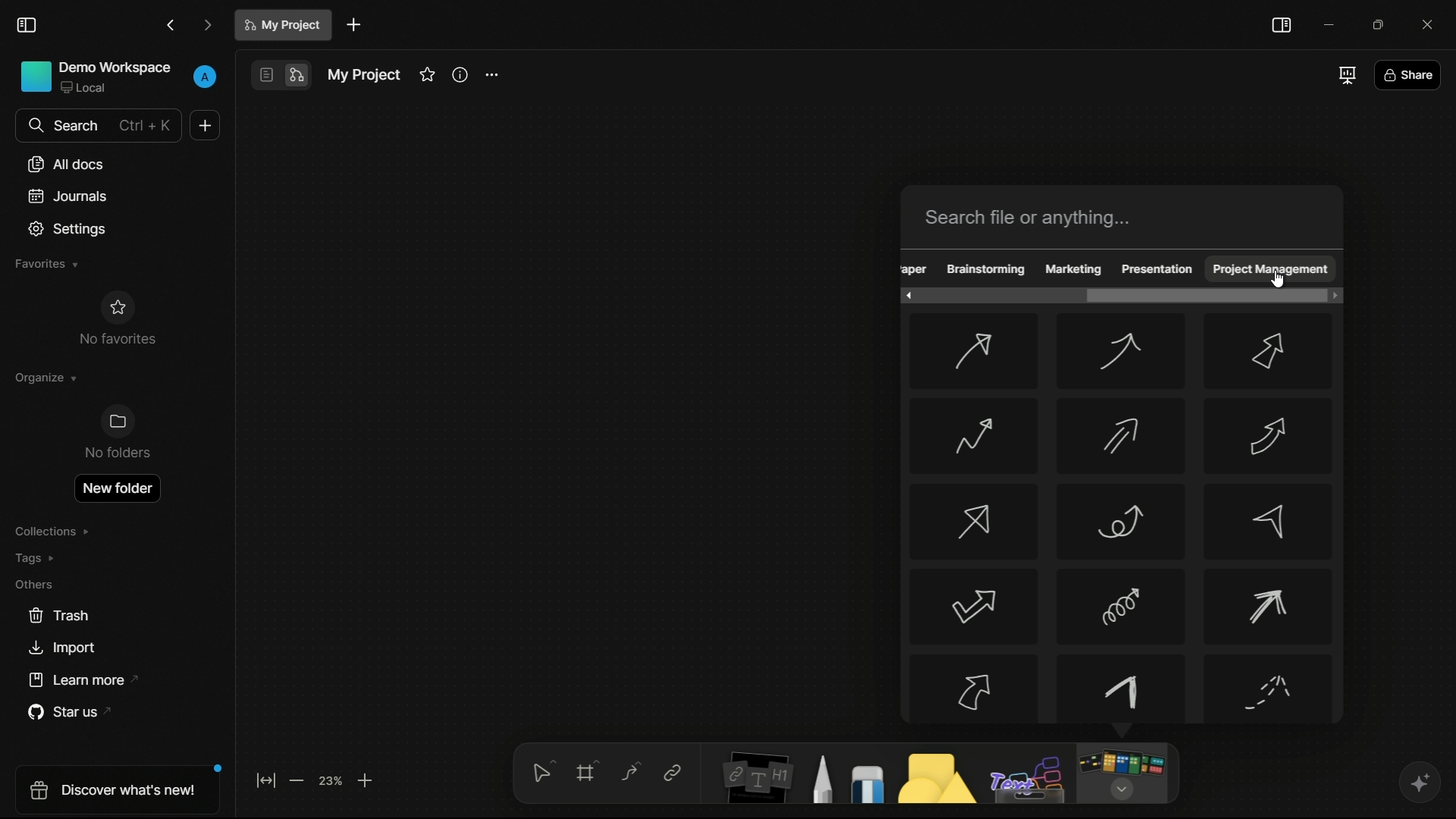 The image size is (1456, 819). What do you see at coordinates (1331, 24) in the screenshot?
I see `minimize` at bounding box center [1331, 24].